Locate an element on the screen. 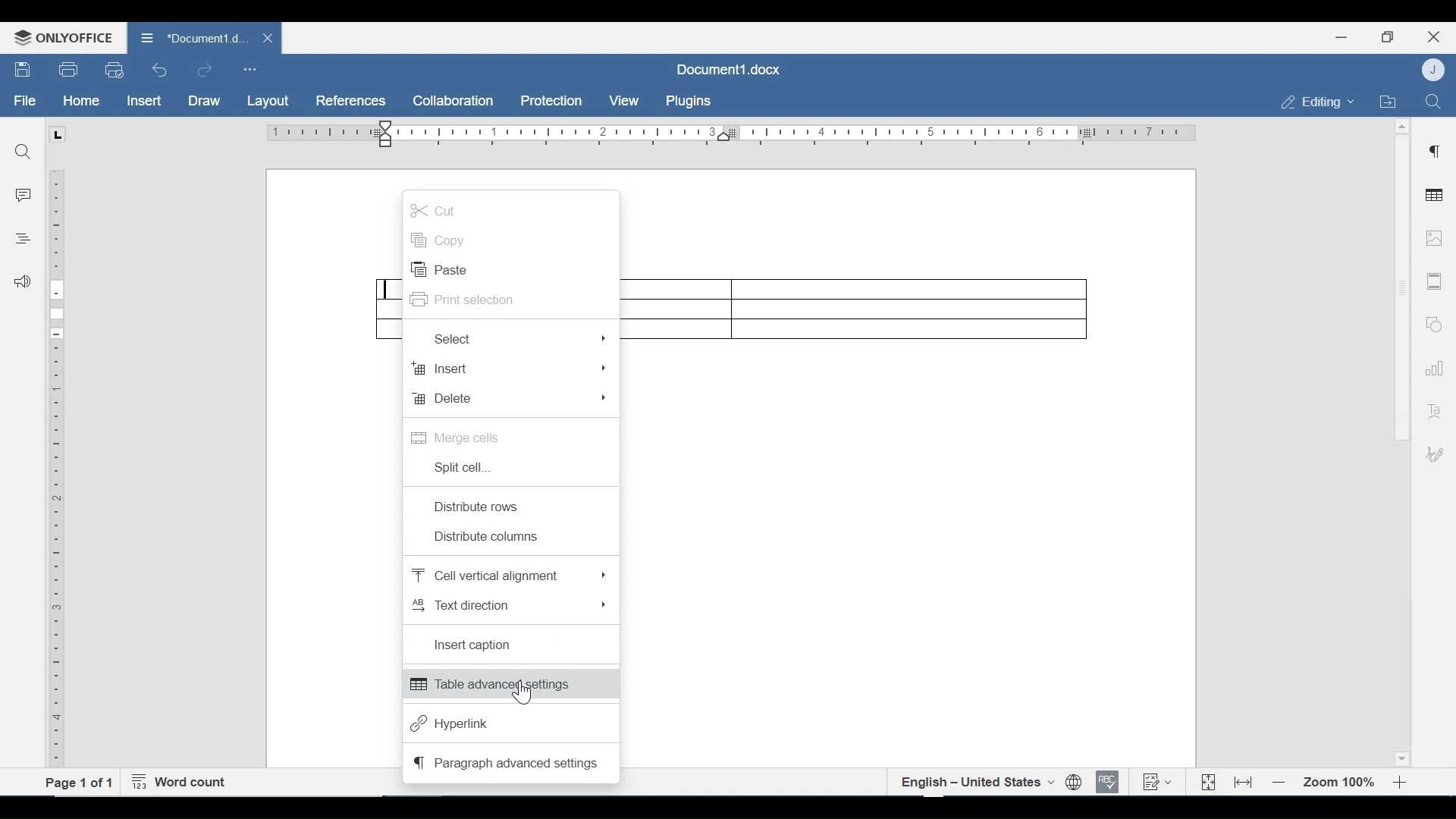 The height and width of the screenshot is (819, 1456). References is located at coordinates (349, 101).